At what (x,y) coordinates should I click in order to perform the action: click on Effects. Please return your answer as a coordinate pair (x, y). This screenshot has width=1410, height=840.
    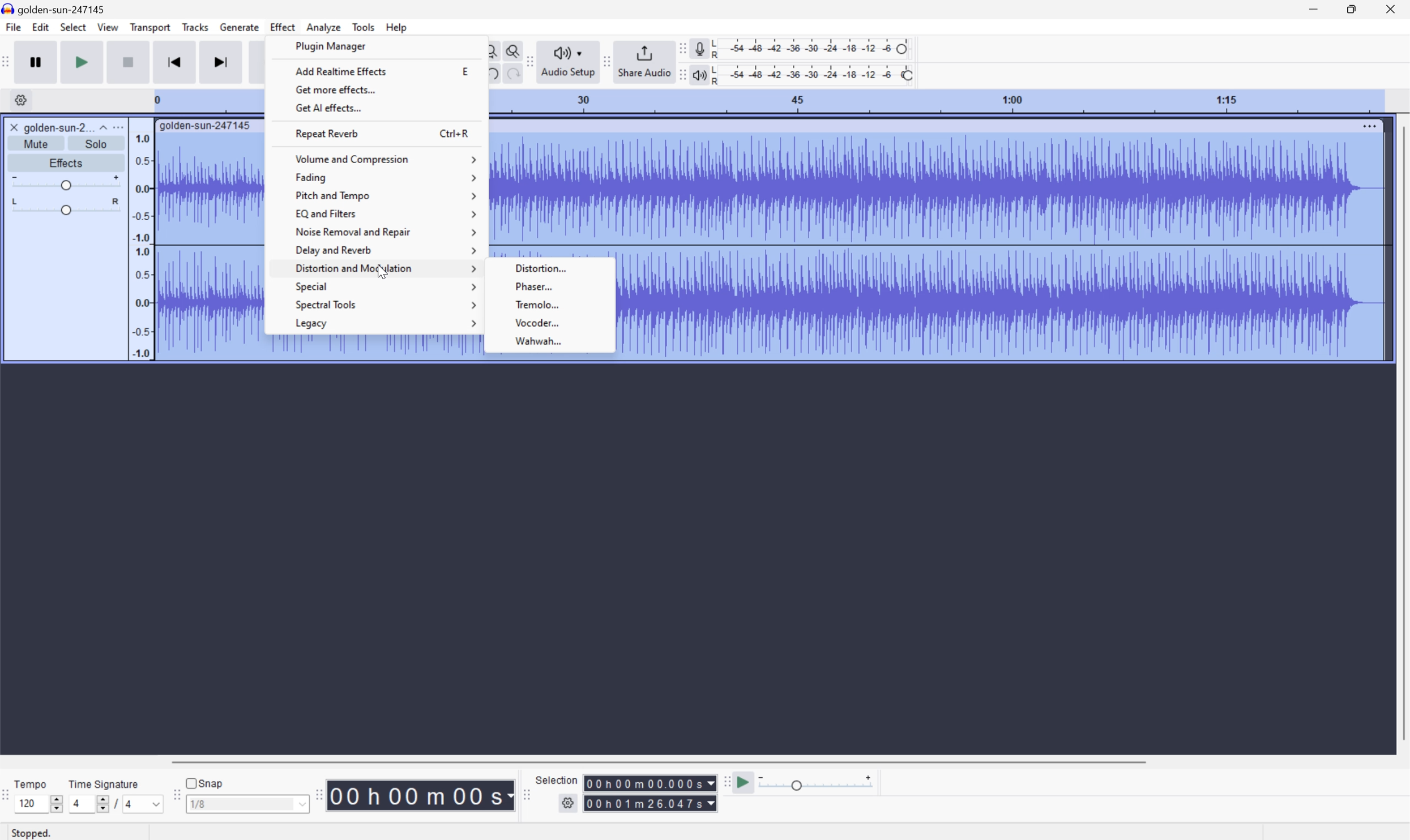
    Looking at the image, I should click on (67, 163).